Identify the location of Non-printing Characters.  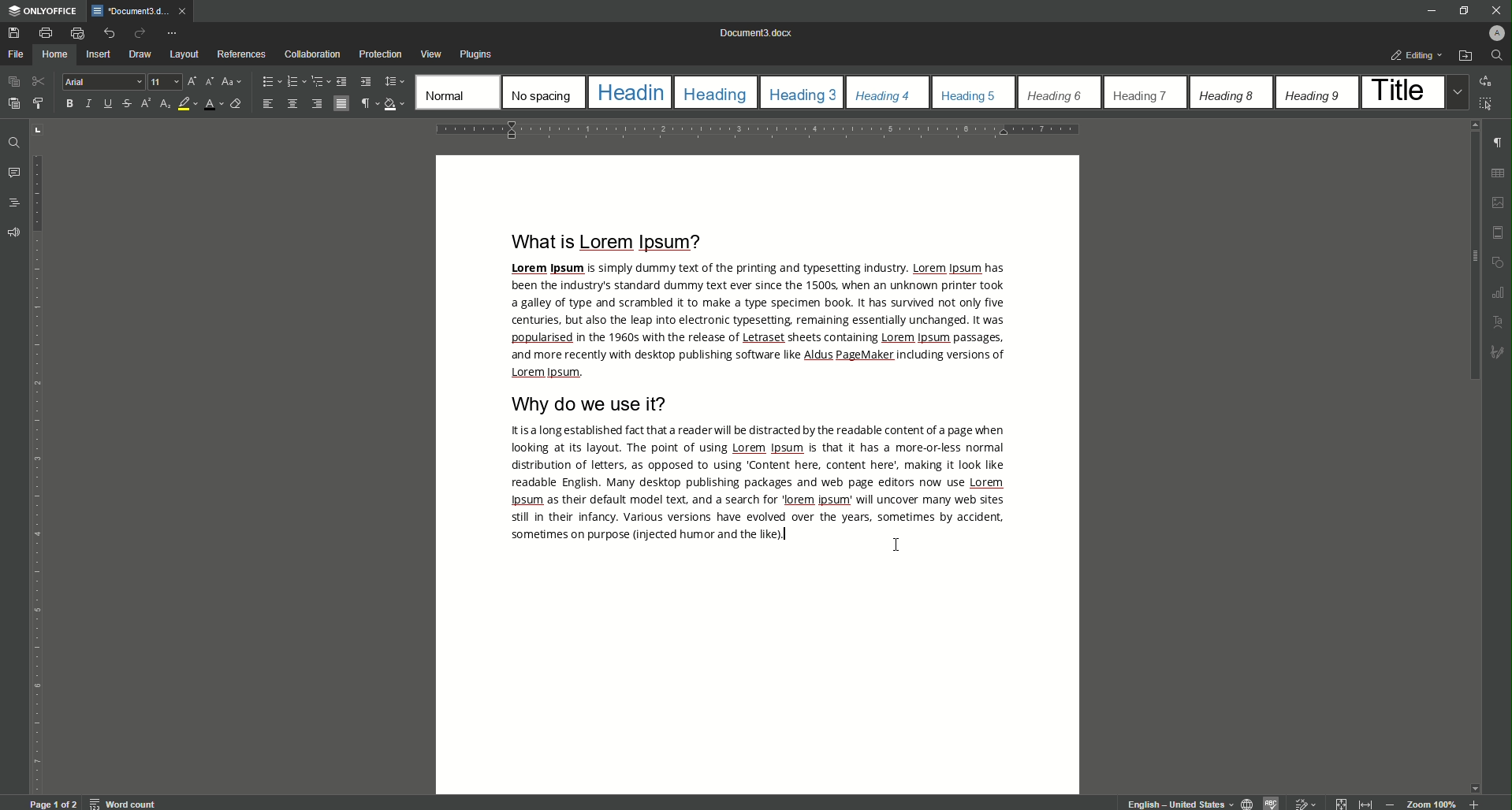
(367, 105).